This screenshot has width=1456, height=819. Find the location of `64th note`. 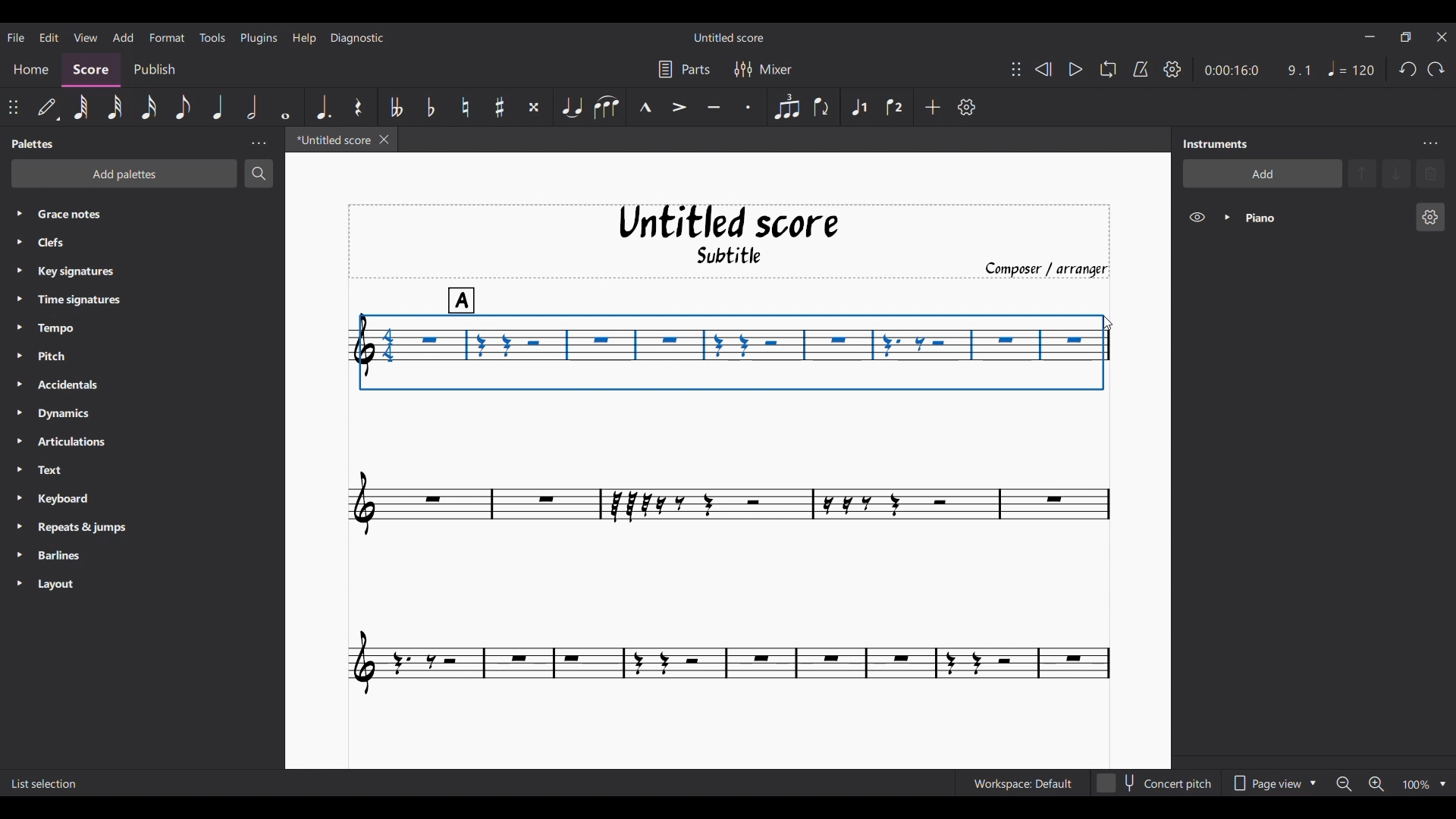

64th note is located at coordinates (81, 107).